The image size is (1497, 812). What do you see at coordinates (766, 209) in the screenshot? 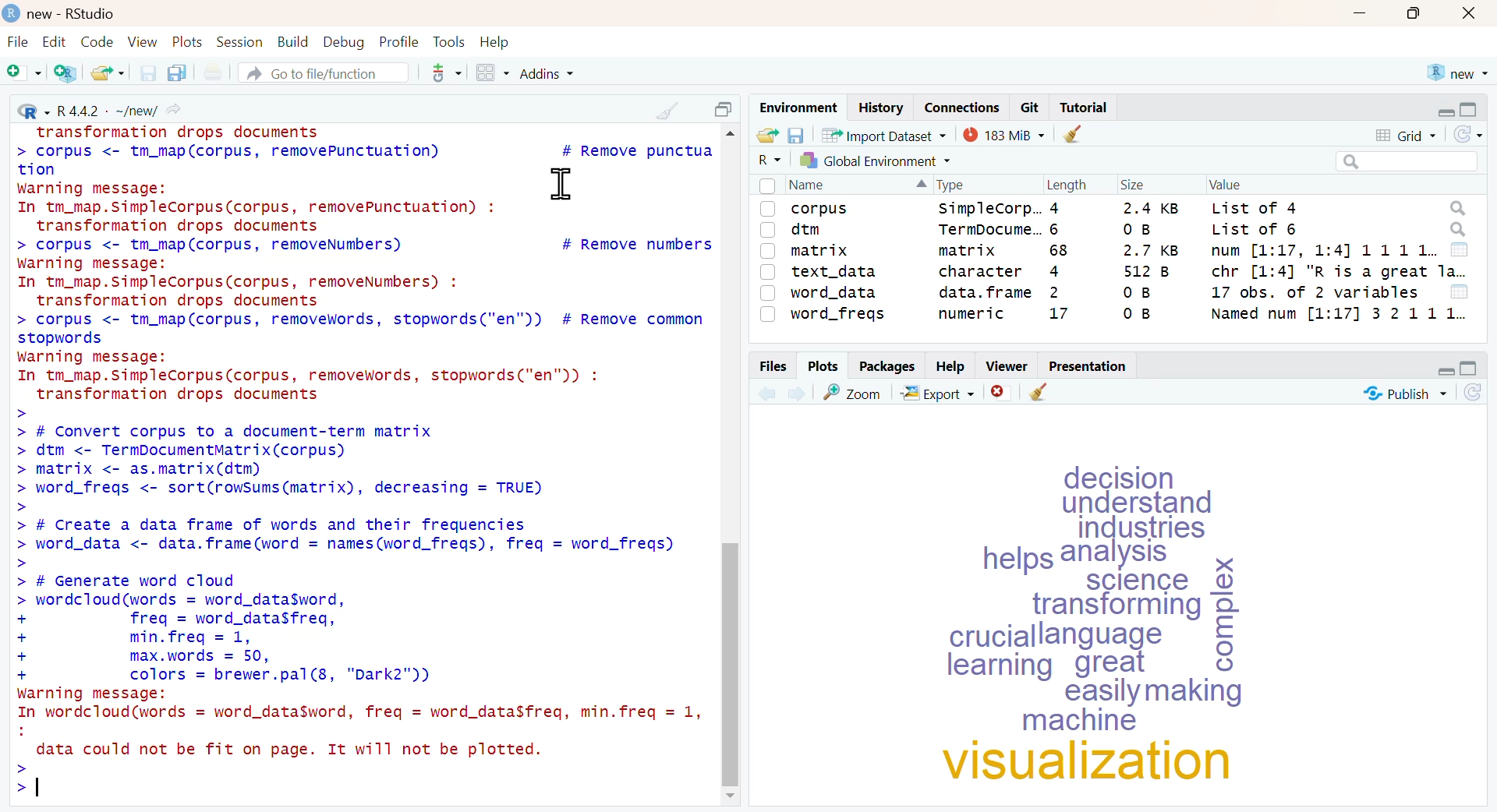
I see `Check box` at bounding box center [766, 209].